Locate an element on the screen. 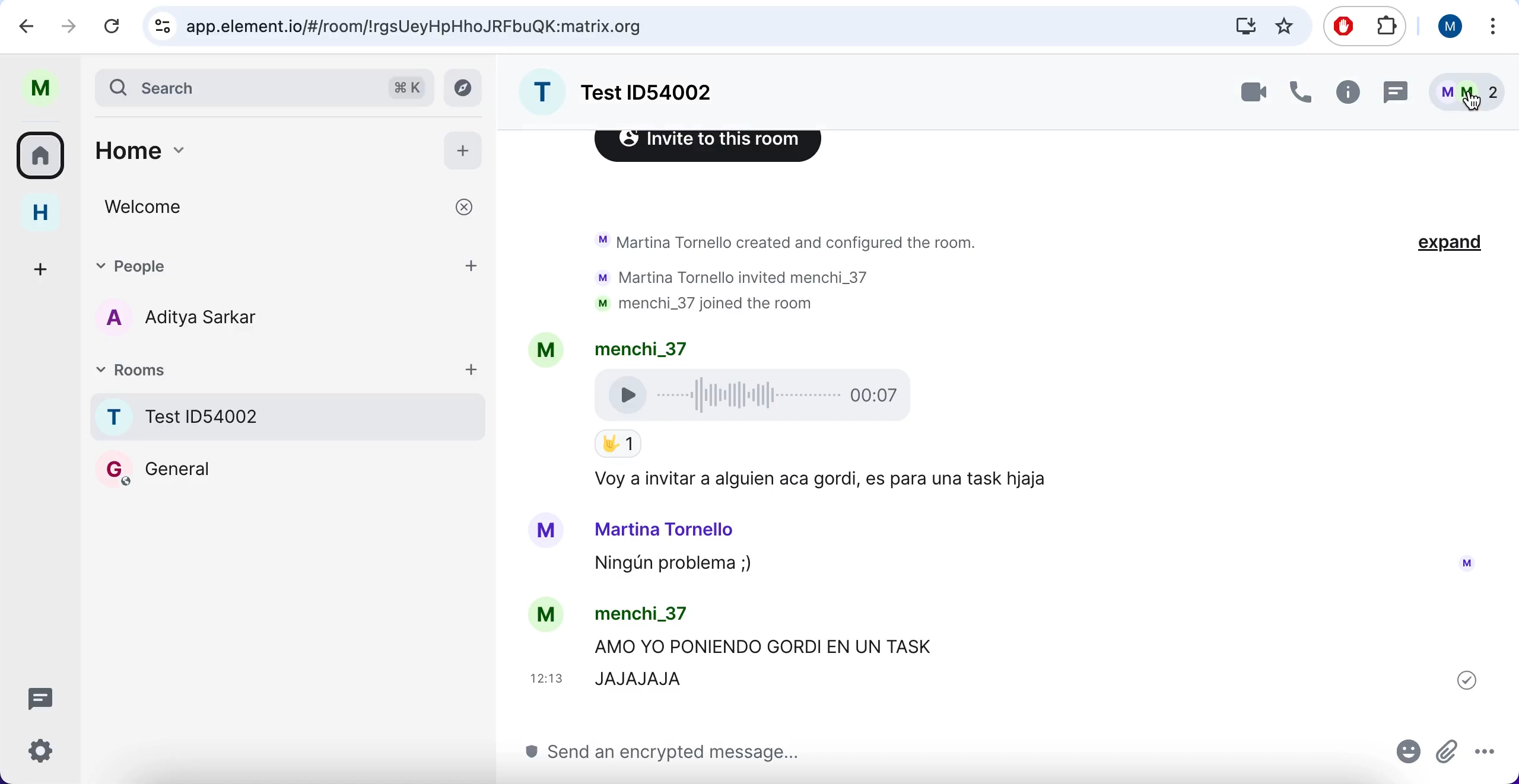 The height and width of the screenshot is (784, 1519). chat is located at coordinates (46, 697).